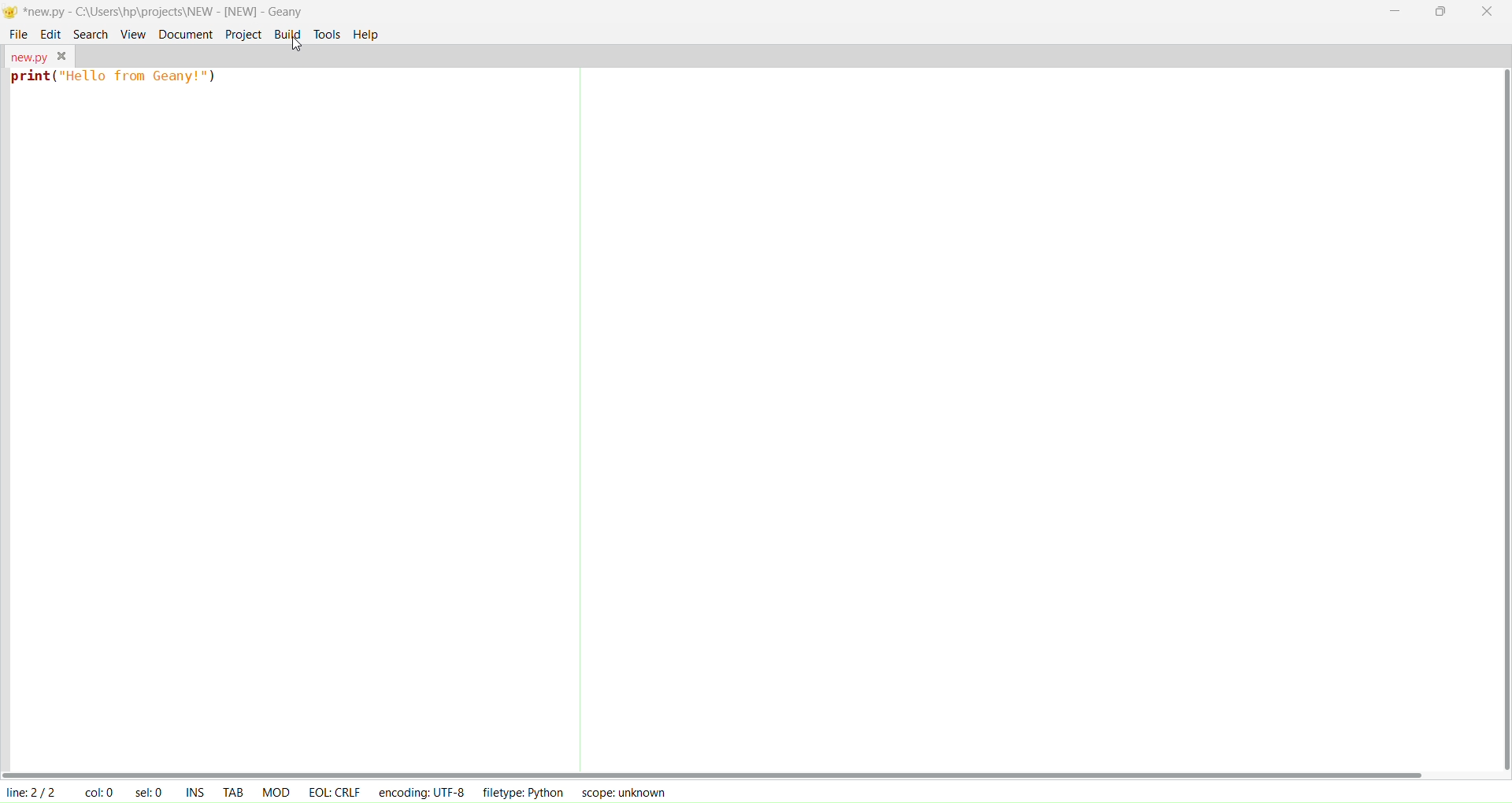 This screenshot has width=1512, height=803. What do you see at coordinates (133, 32) in the screenshot?
I see `view` at bounding box center [133, 32].